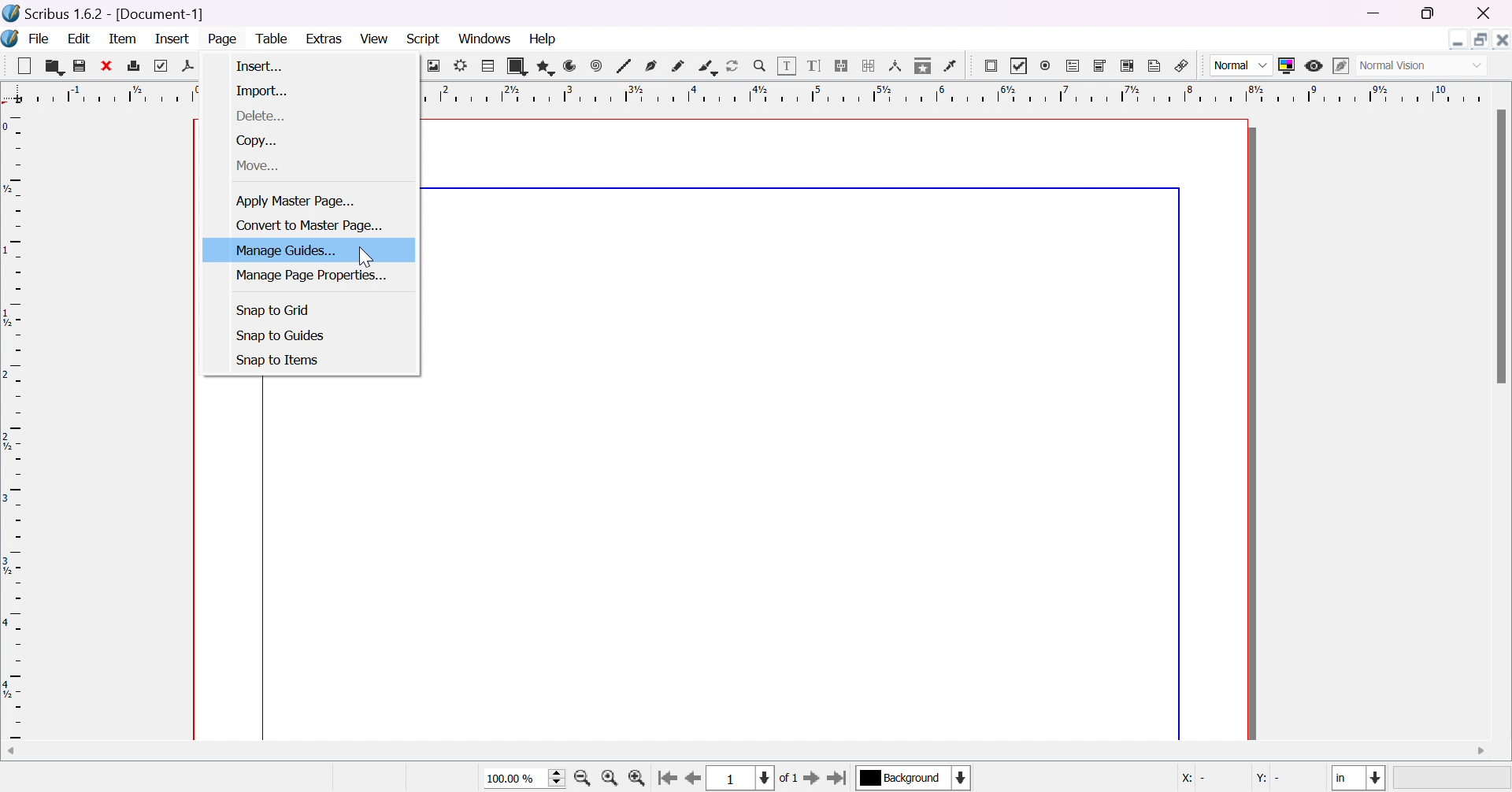 Image resolution: width=1512 pixels, height=792 pixels. I want to click on PDF radio button, so click(1047, 66).